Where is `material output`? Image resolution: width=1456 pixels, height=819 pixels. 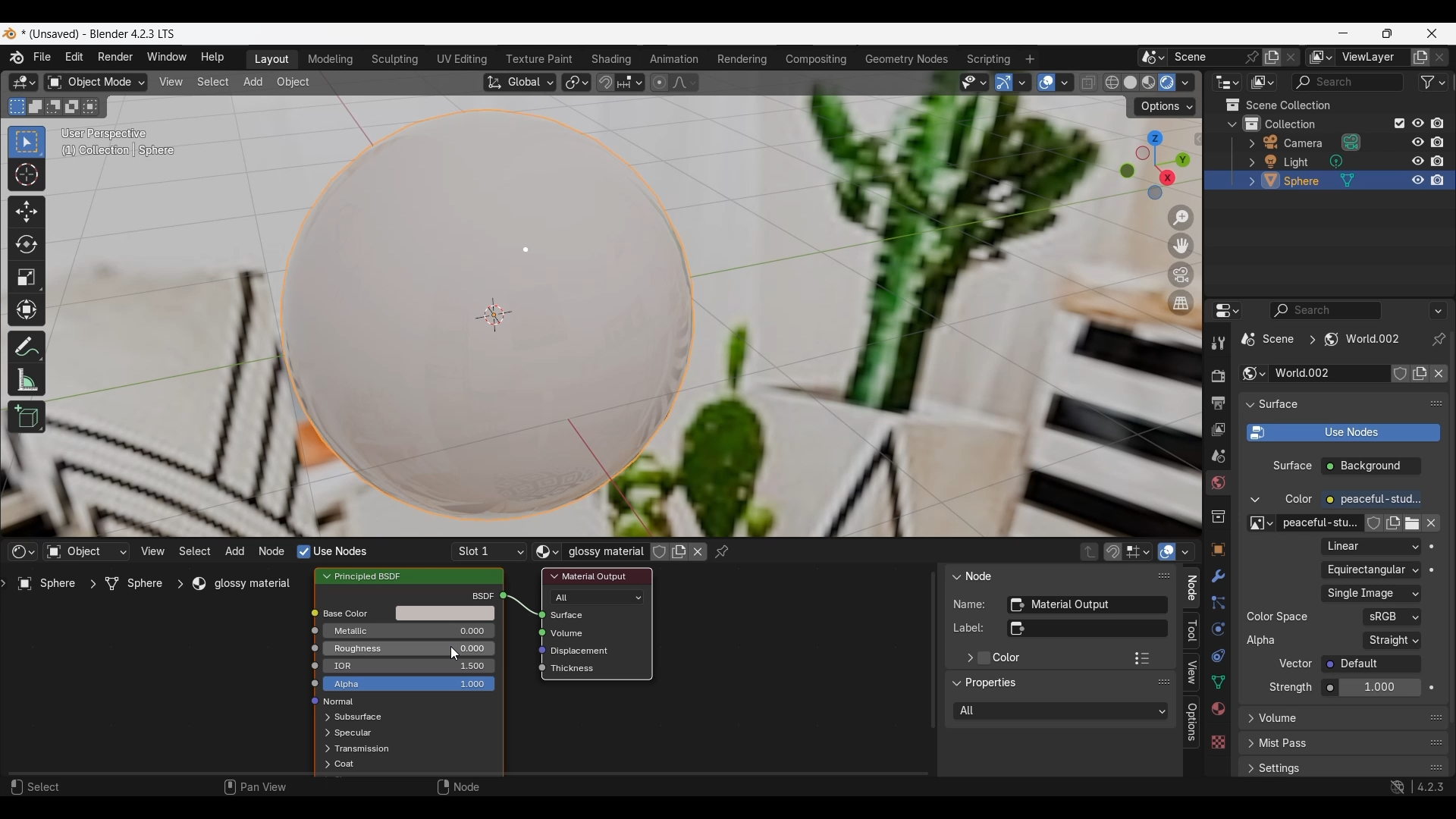
material output is located at coordinates (595, 576).